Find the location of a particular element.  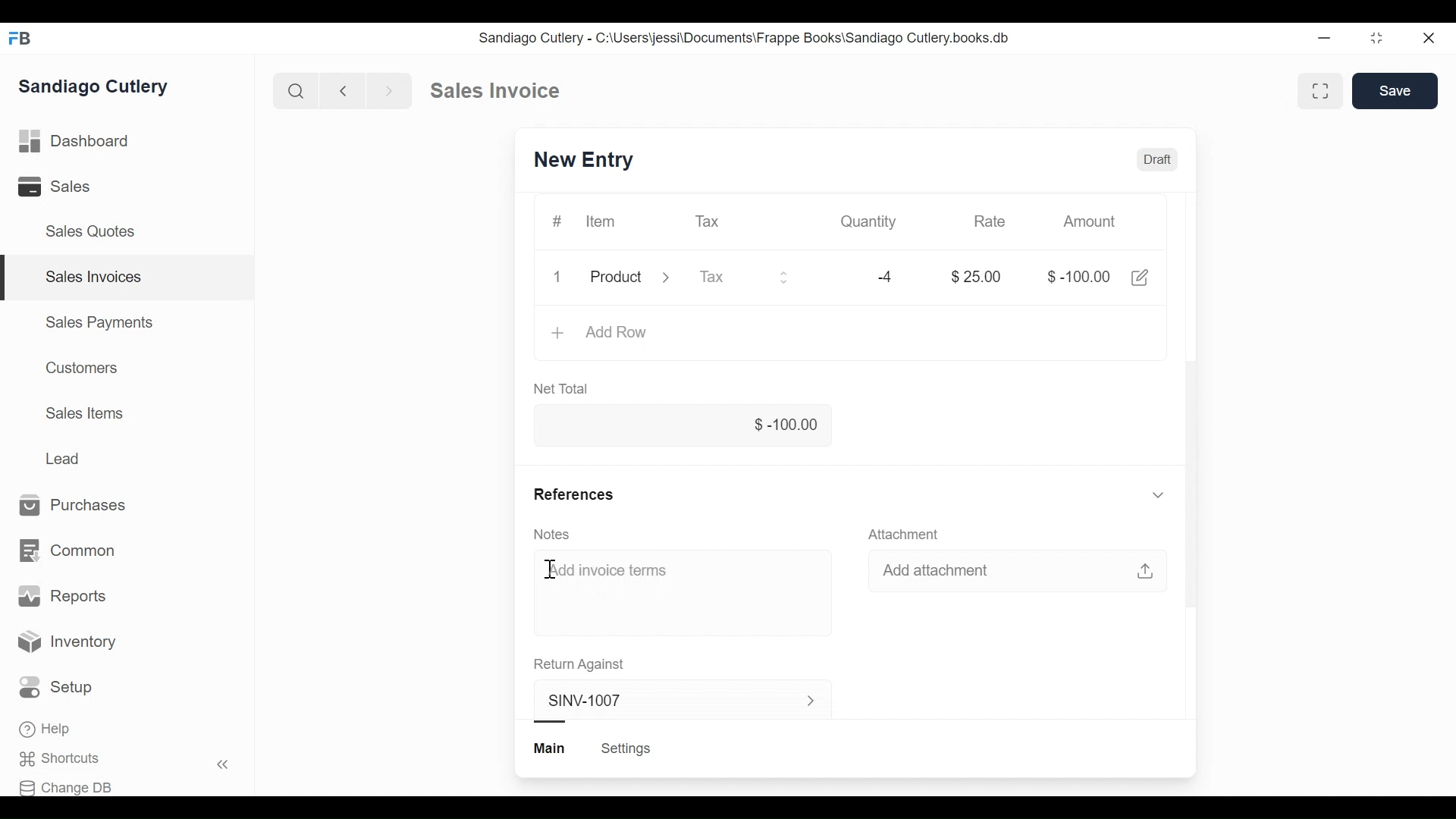

Sales Invoices is located at coordinates (95, 277).